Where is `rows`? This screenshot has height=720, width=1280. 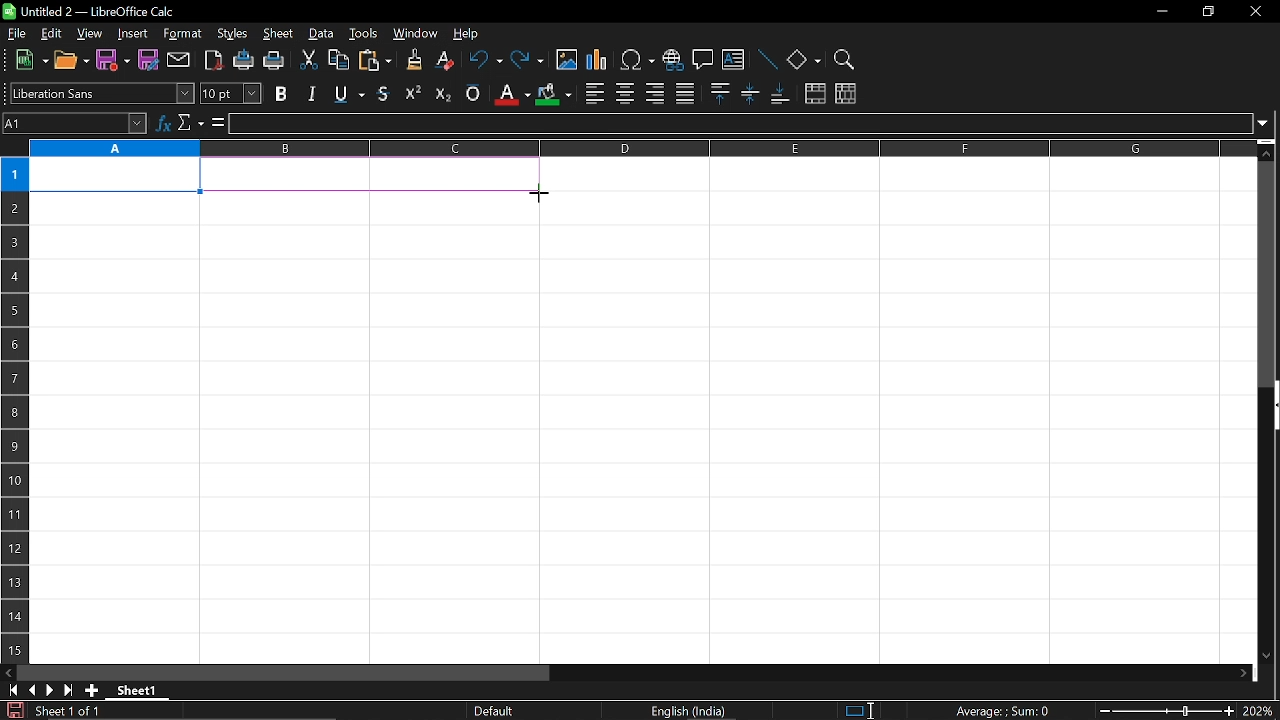 rows is located at coordinates (12, 387).